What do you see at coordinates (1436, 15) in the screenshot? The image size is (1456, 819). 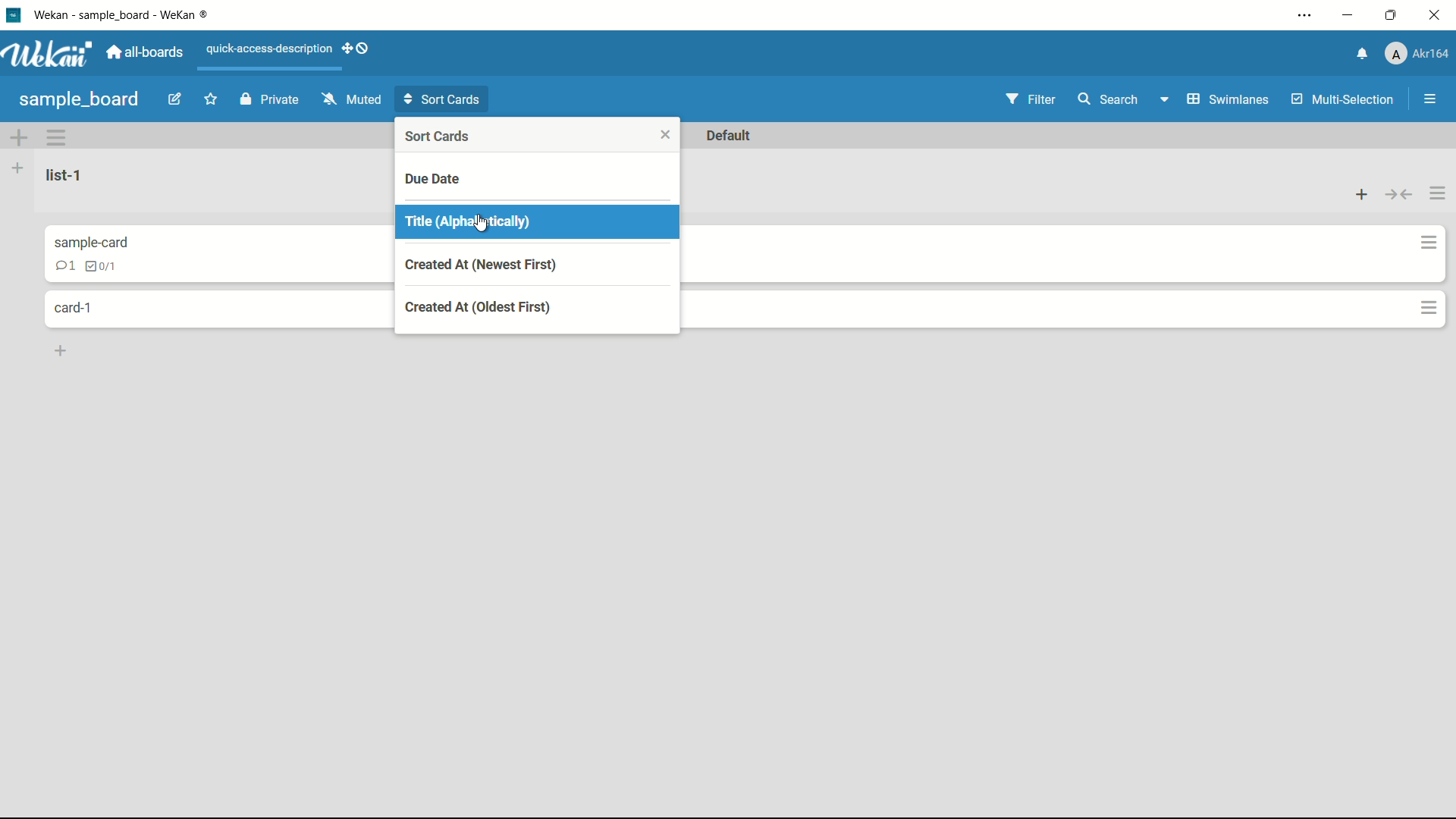 I see `close app` at bounding box center [1436, 15].